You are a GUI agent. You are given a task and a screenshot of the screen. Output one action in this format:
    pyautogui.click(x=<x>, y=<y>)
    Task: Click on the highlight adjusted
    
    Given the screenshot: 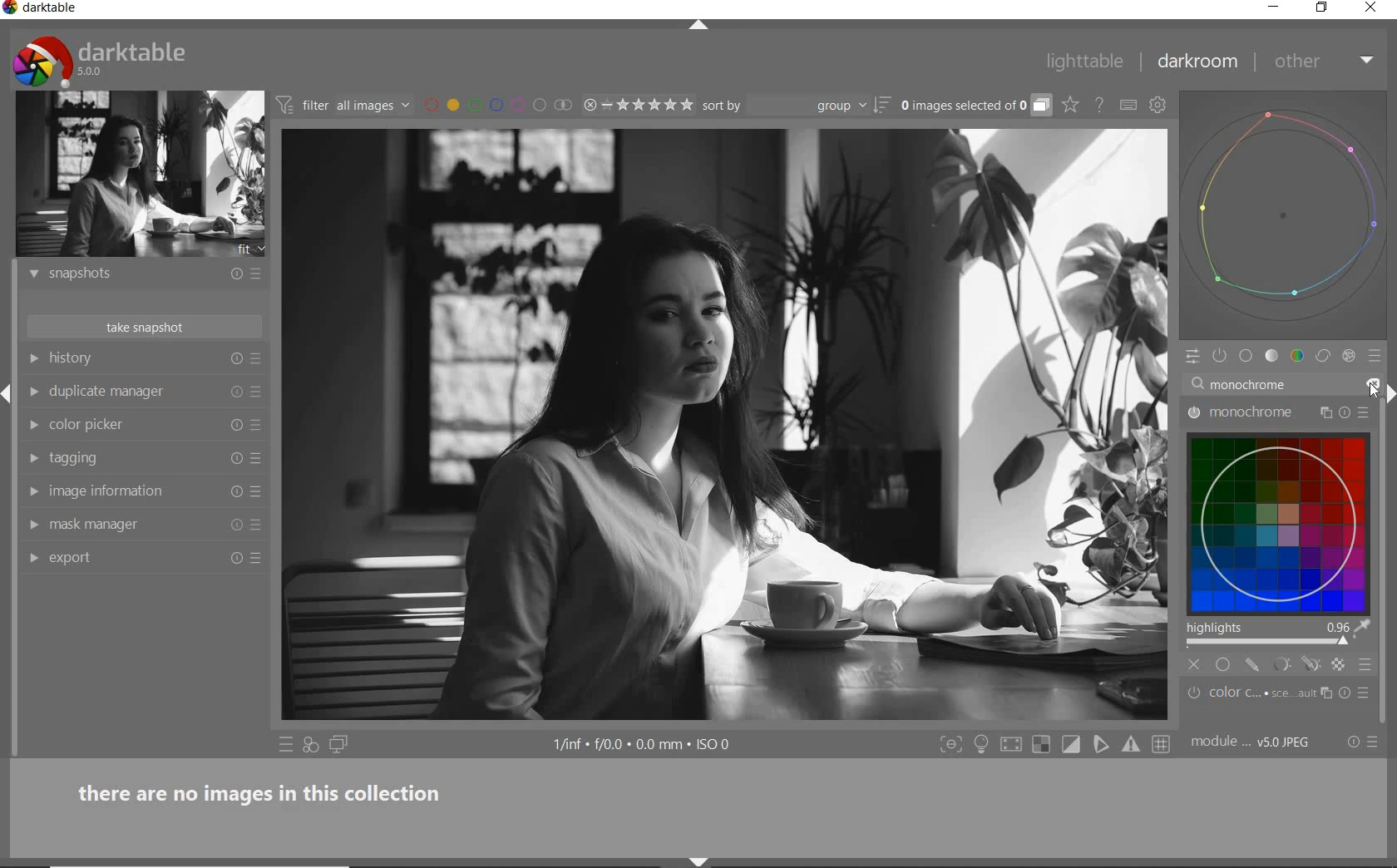 What is the action you would take?
    pyautogui.click(x=1276, y=634)
    